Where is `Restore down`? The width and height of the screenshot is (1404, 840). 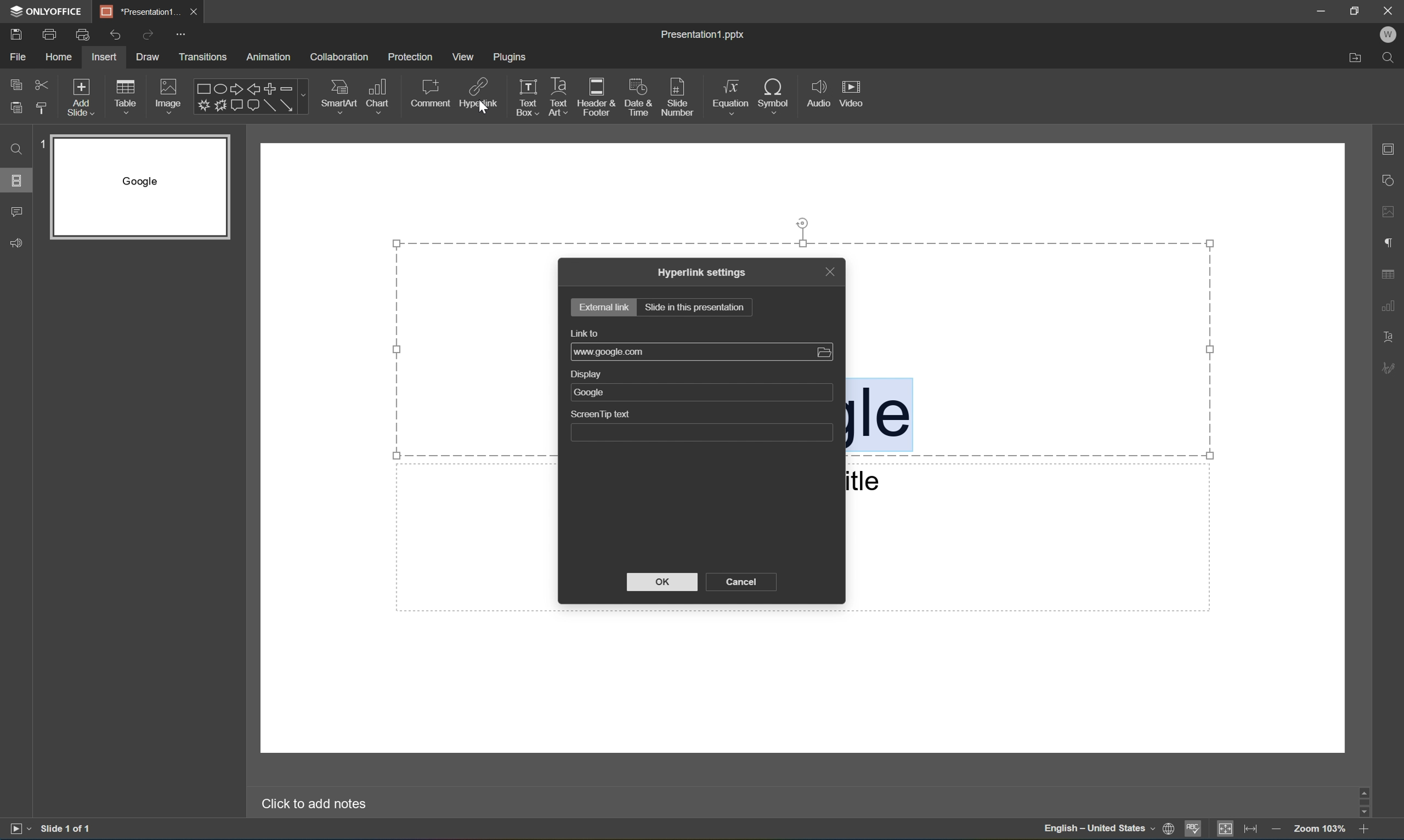 Restore down is located at coordinates (1357, 10).